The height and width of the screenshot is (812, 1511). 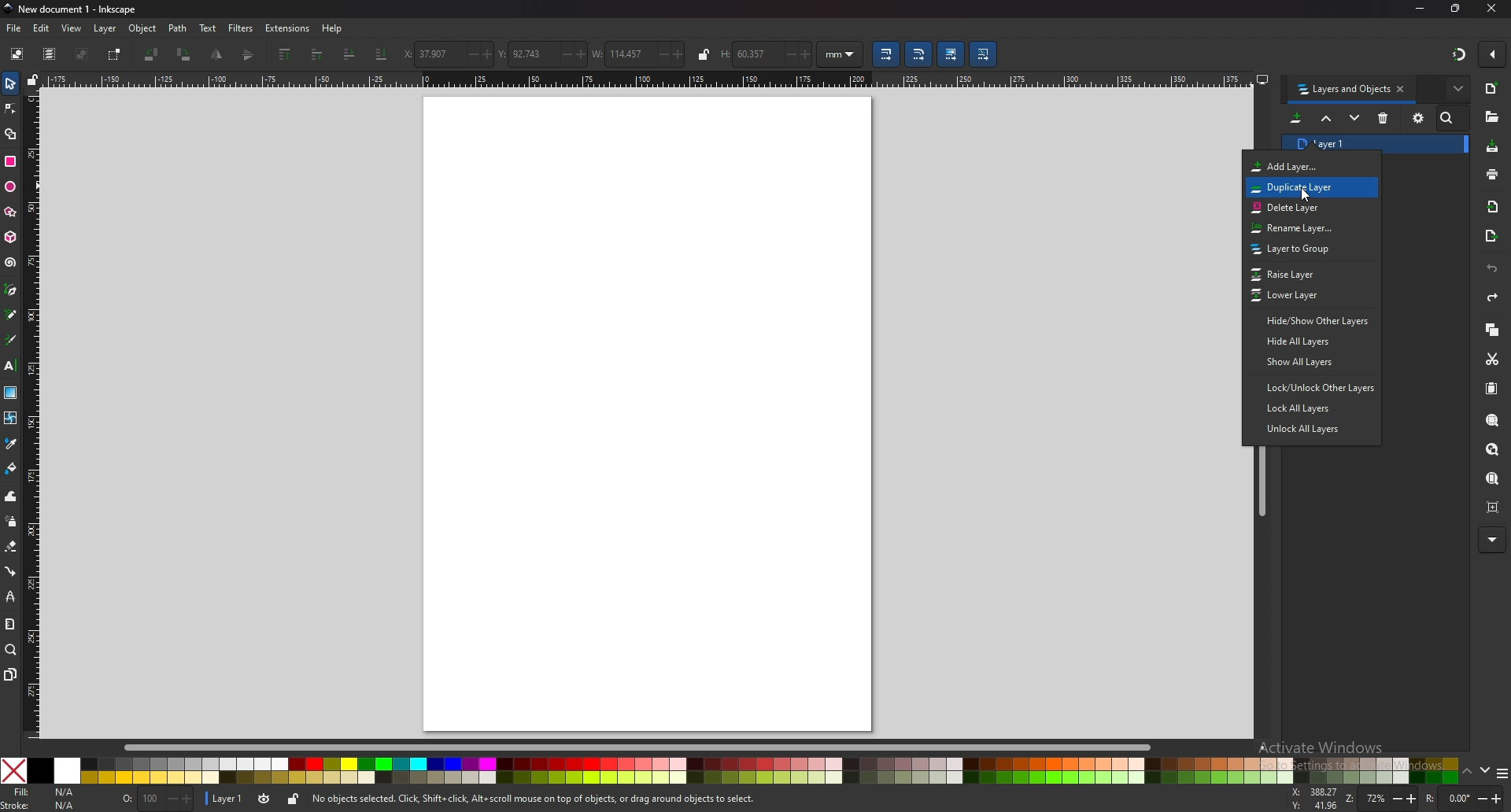 What do you see at coordinates (11, 417) in the screenshot?
I see `mesh` at bounding box center [11, 417].